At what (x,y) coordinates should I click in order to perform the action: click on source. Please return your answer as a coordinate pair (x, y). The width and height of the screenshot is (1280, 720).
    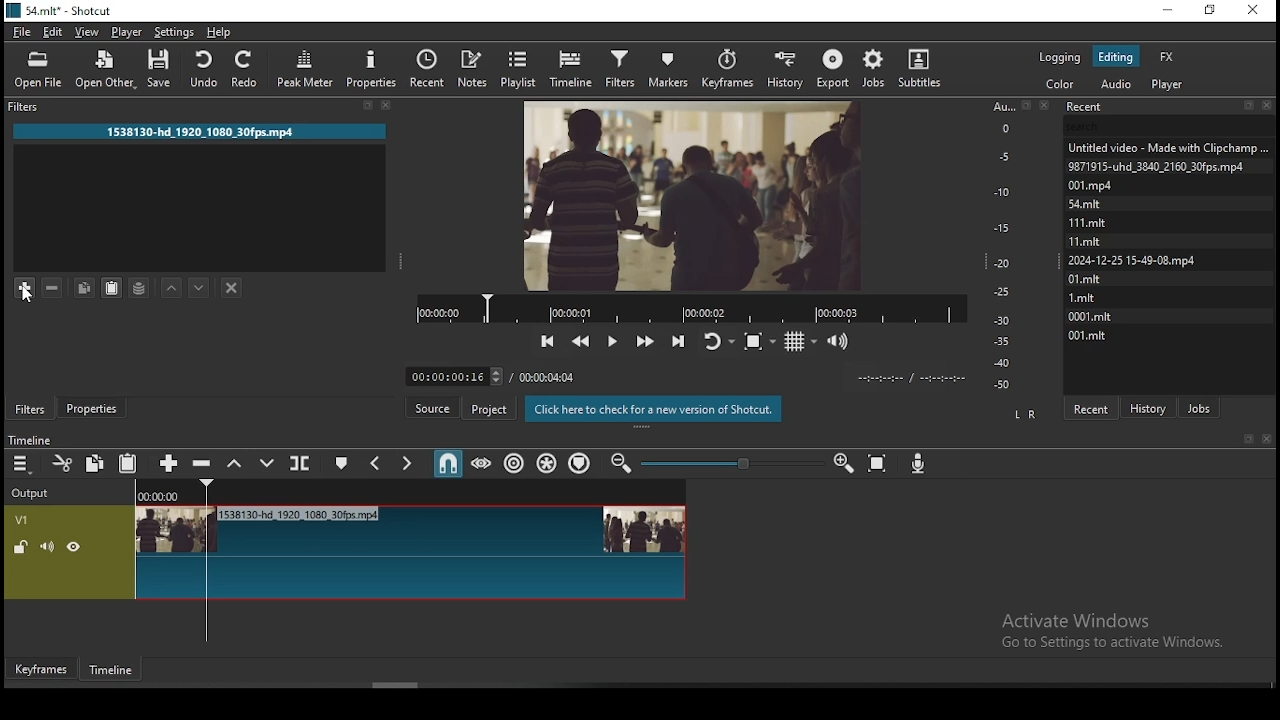
    Looking at the image, I should click on (433, 408).